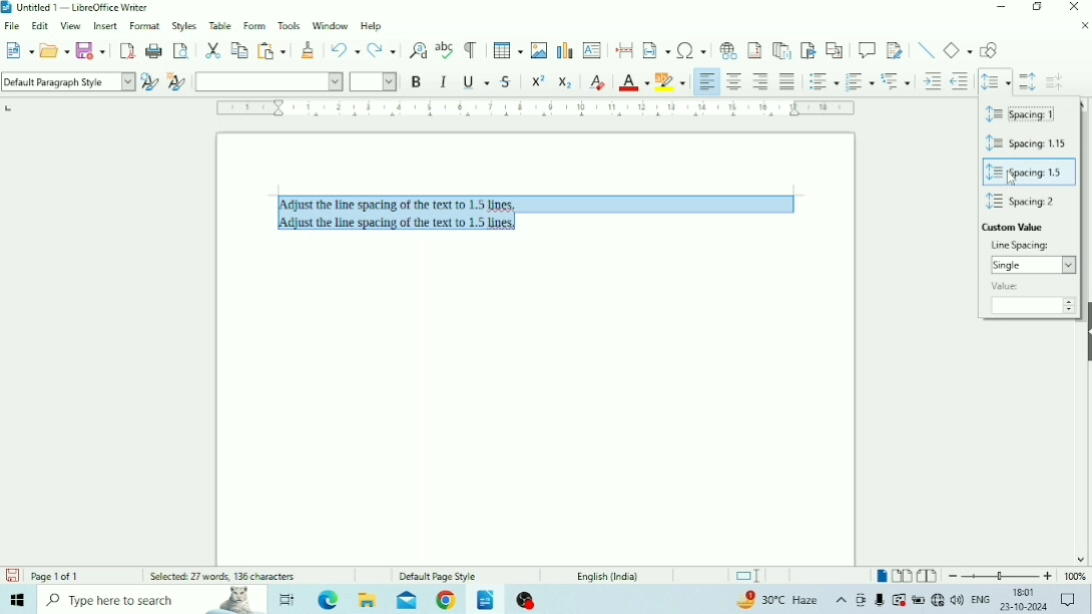 This screenshot has width=1092, height=614. What do you see at coordinates (625, 49) in the screenshot?
I see `Insert PageBreak` at bounding box center [625, 49].